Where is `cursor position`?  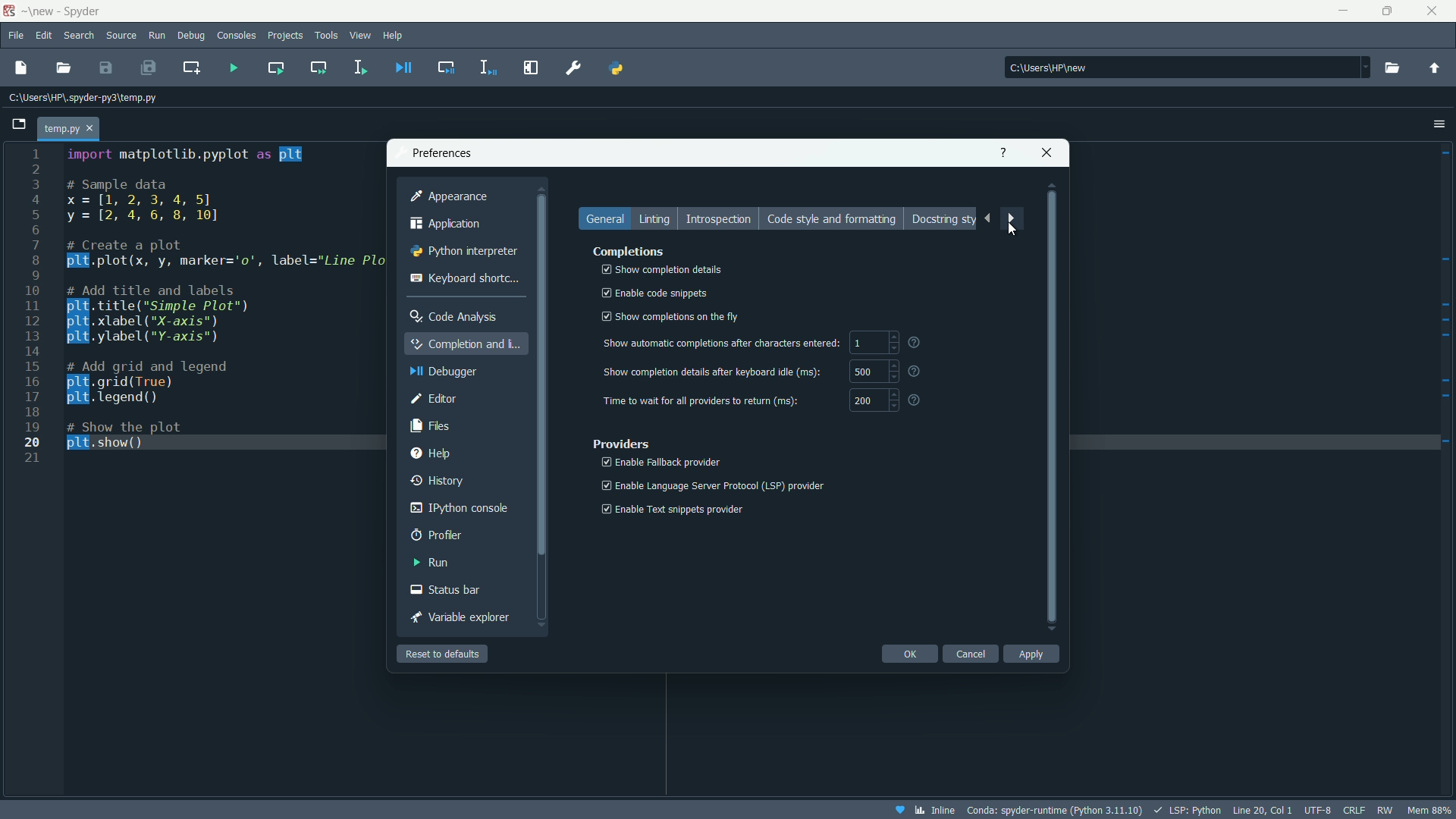
cursor position is located at coordinates (1263, 809).